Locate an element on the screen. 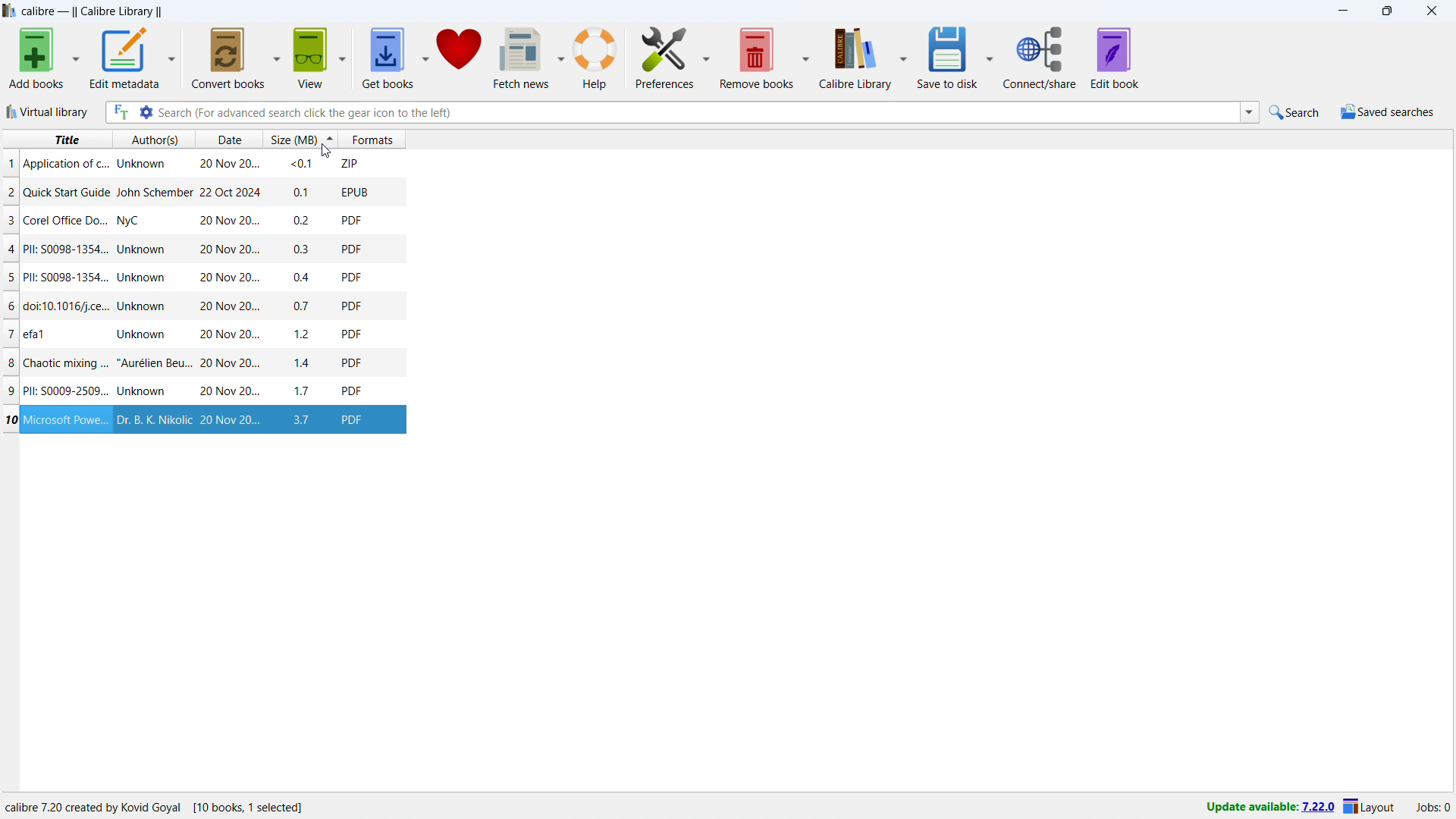 The height and width of the screenshot is (819, 1456). EPUB is located at coordinates (355, 419).